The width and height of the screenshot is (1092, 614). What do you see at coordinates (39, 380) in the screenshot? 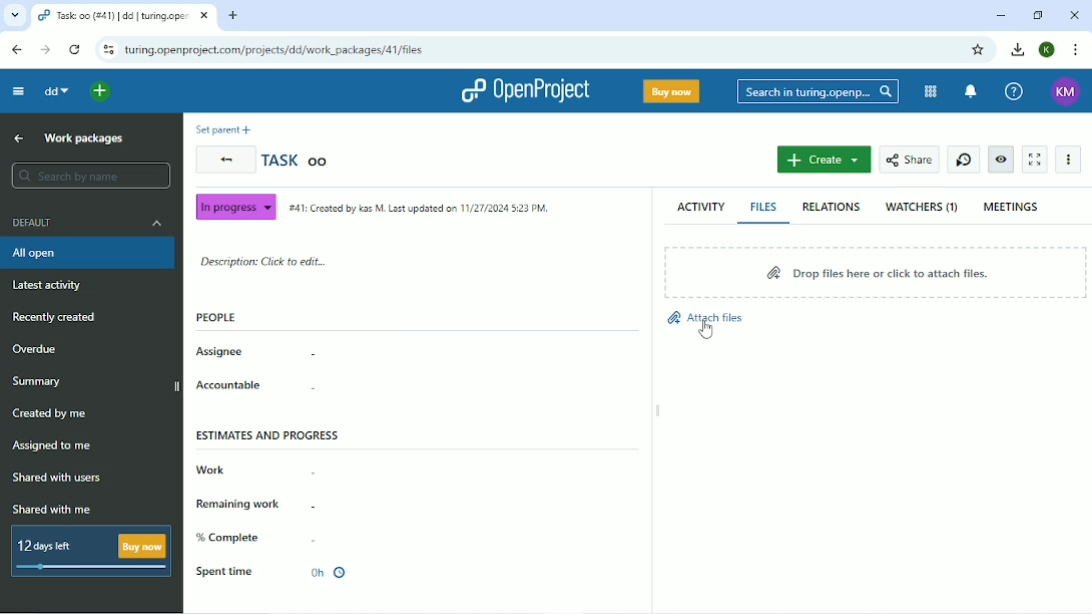
I see `Summary` at bounding box center [39, 380].